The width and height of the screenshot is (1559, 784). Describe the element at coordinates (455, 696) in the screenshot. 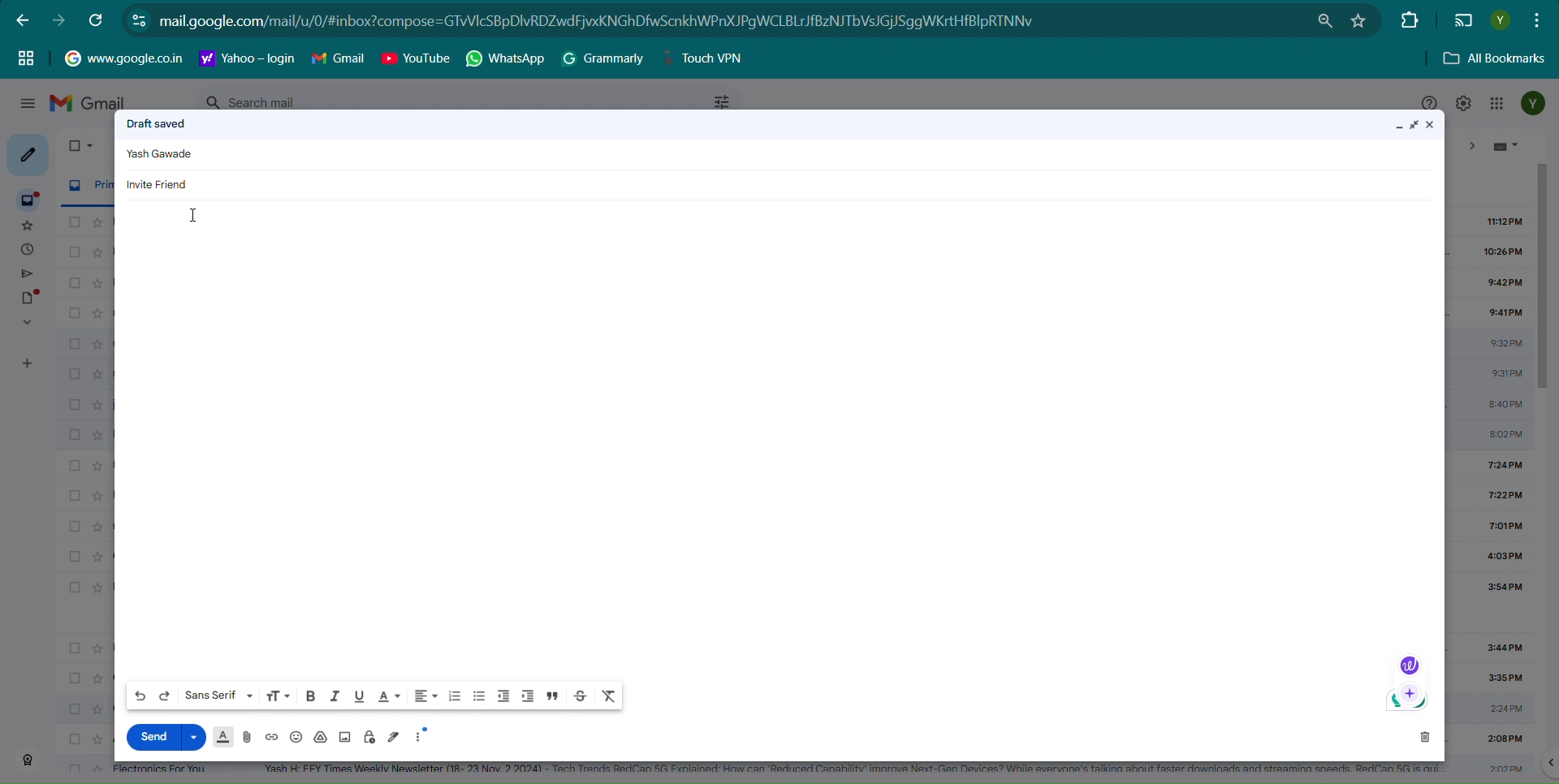

I see `Number List` at that location.